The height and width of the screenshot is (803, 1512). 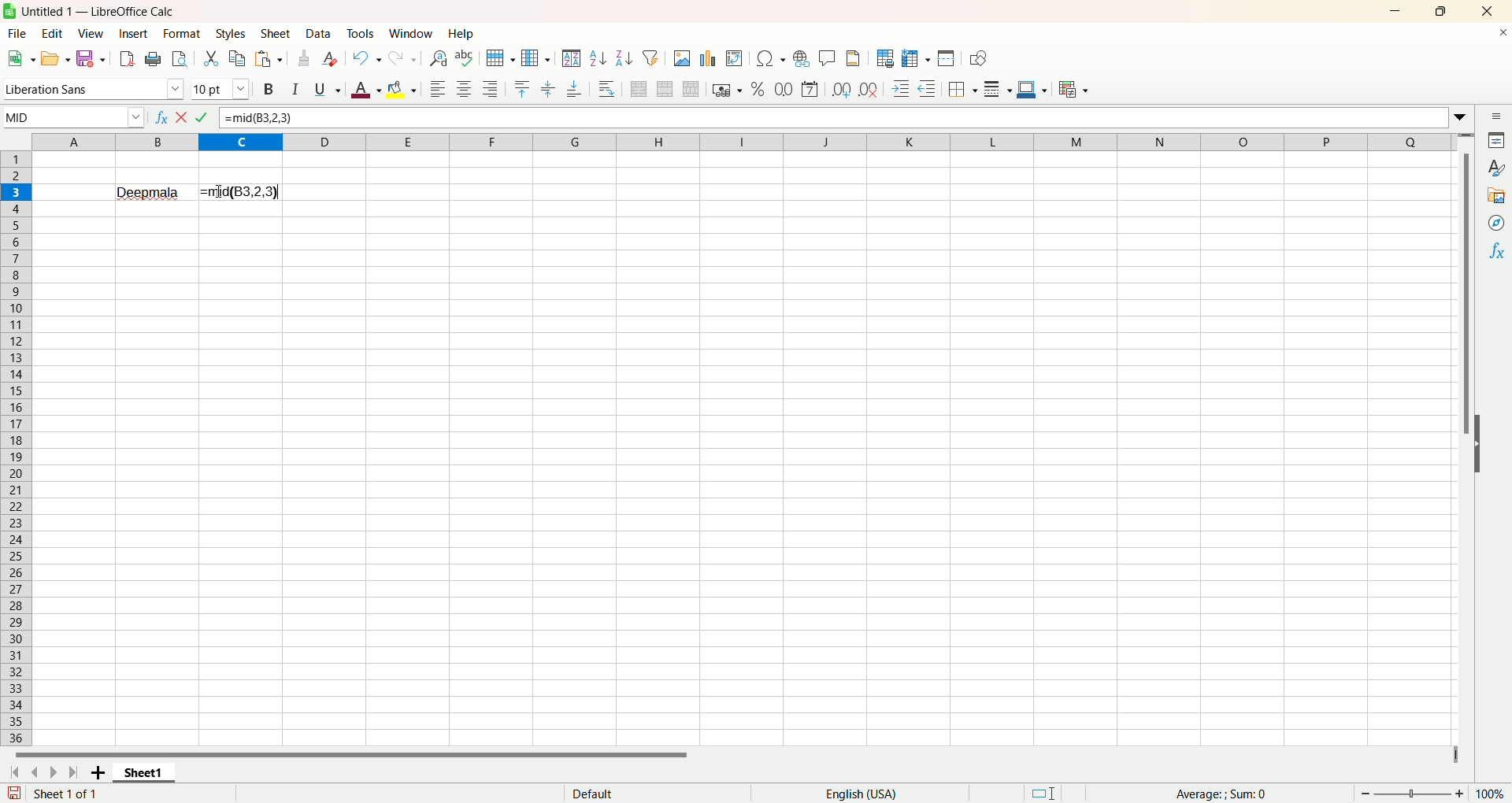 I want to click on Sidebar settings, so click(x=1497, y=116).